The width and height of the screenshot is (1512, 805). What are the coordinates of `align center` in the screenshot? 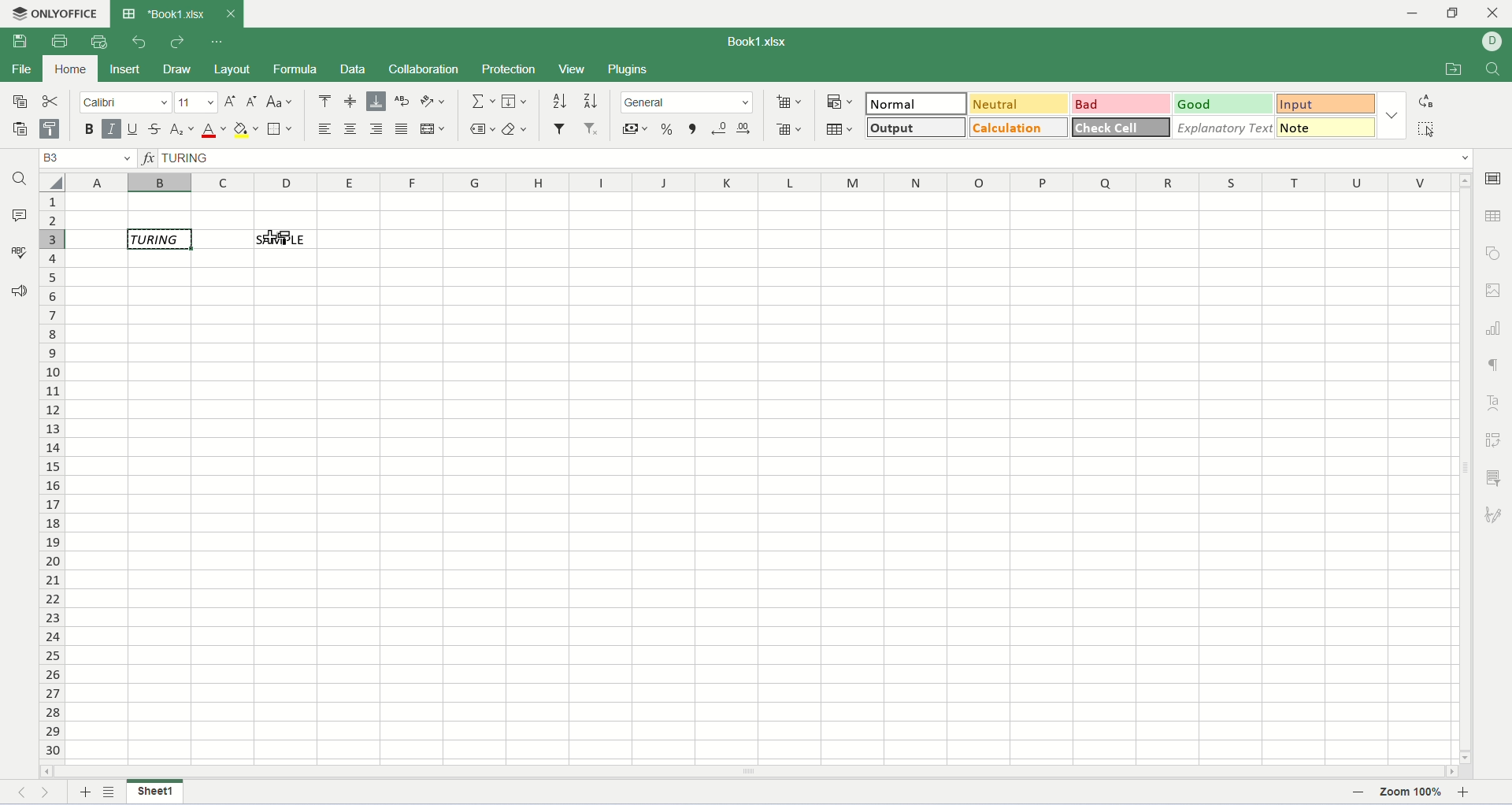 It's located at (350, 128).